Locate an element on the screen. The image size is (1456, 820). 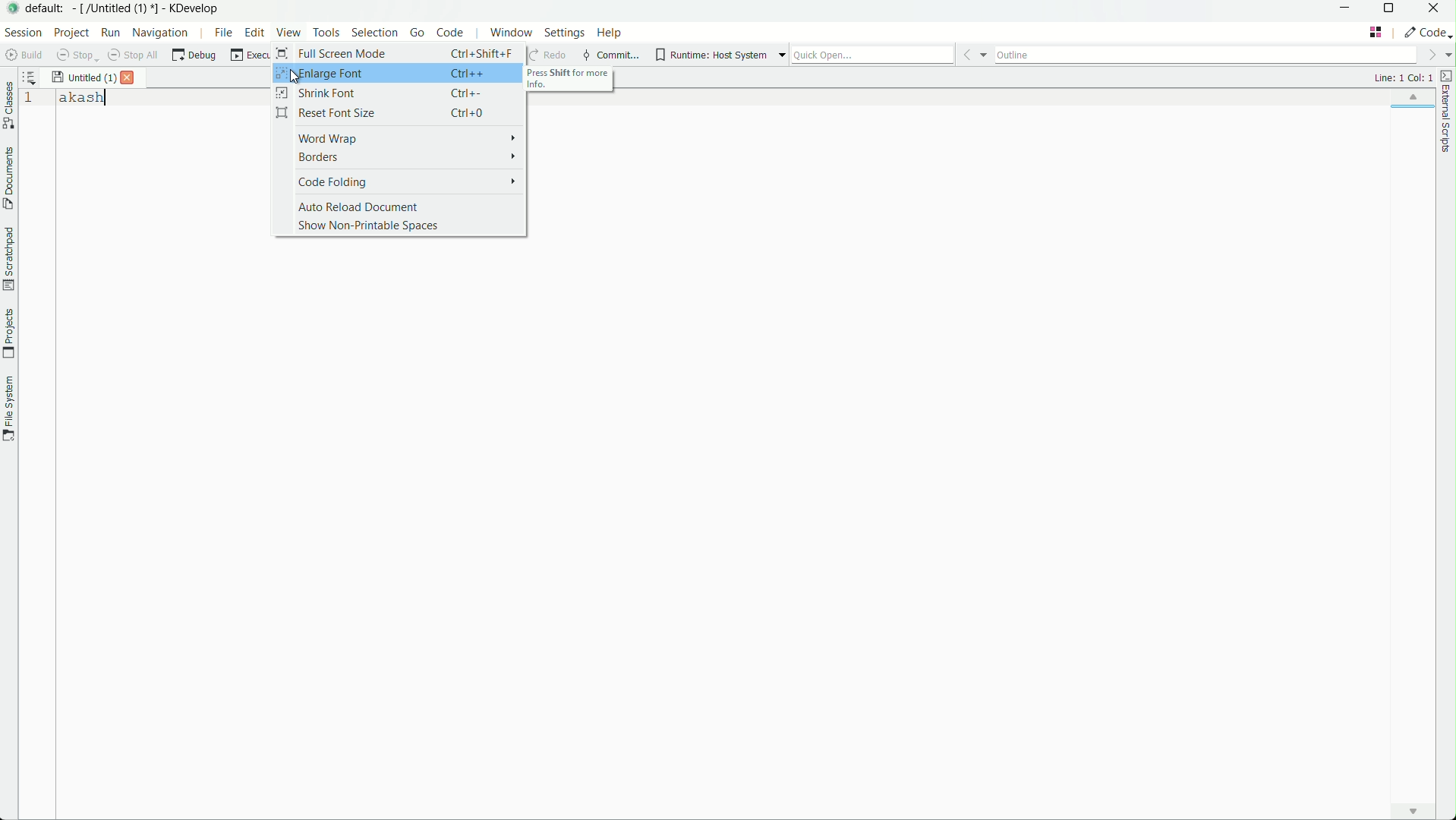
window is located at coordinates (511, 32).